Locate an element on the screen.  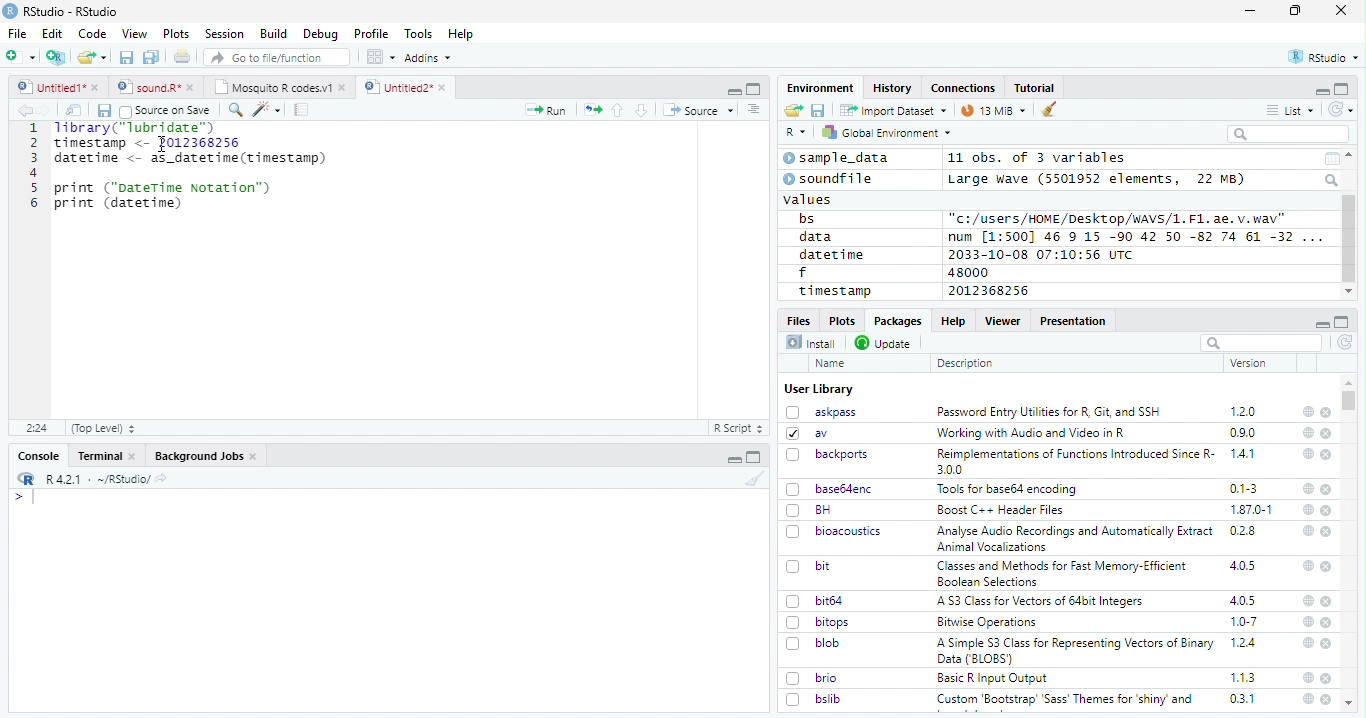
askpass is located at coordinates (820, 412).